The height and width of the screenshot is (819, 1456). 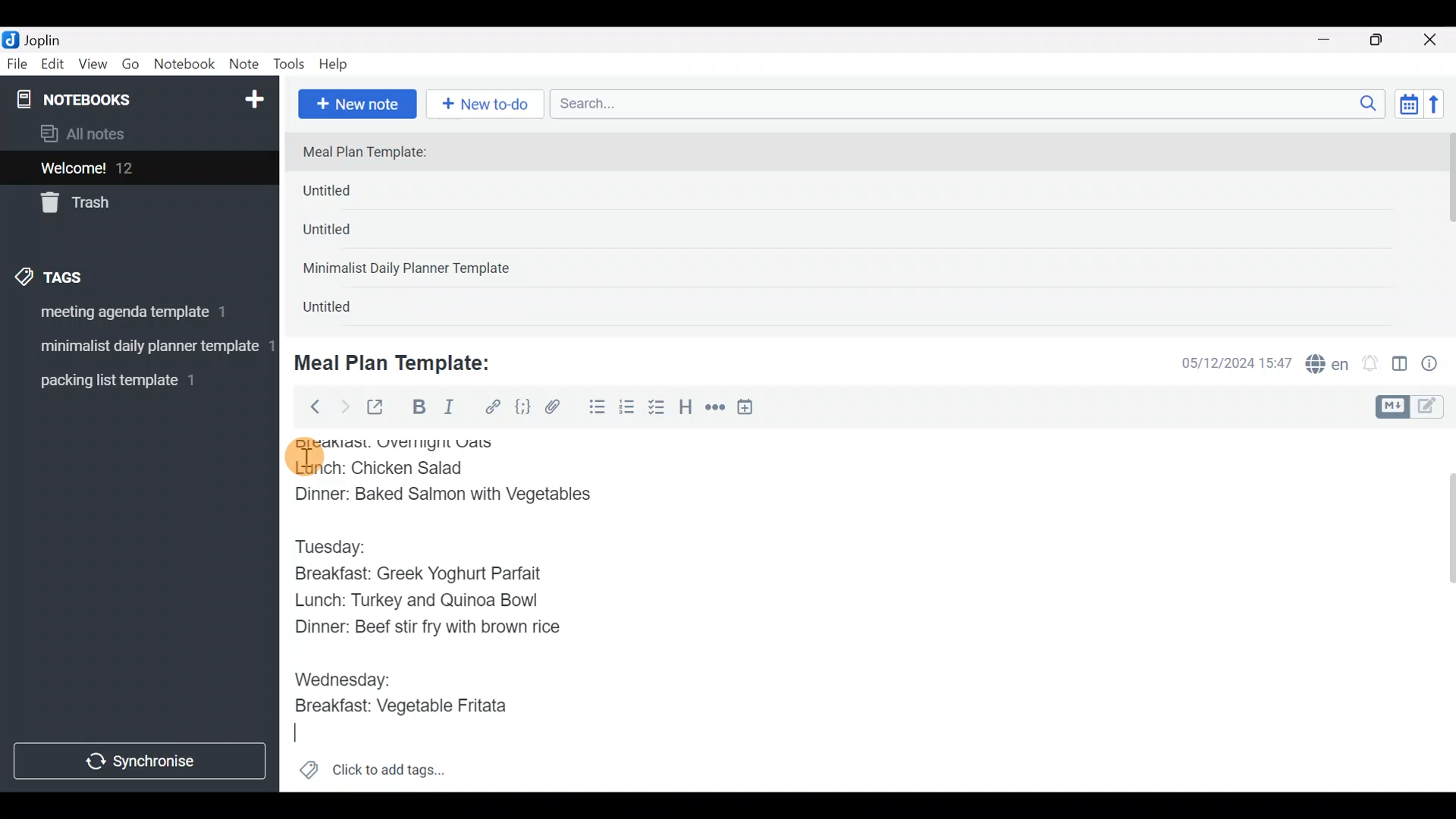 What do you see at coordinates (715, 409) in the screenshot?
I see `Horizontal rule` at bounding box center [715, 409].